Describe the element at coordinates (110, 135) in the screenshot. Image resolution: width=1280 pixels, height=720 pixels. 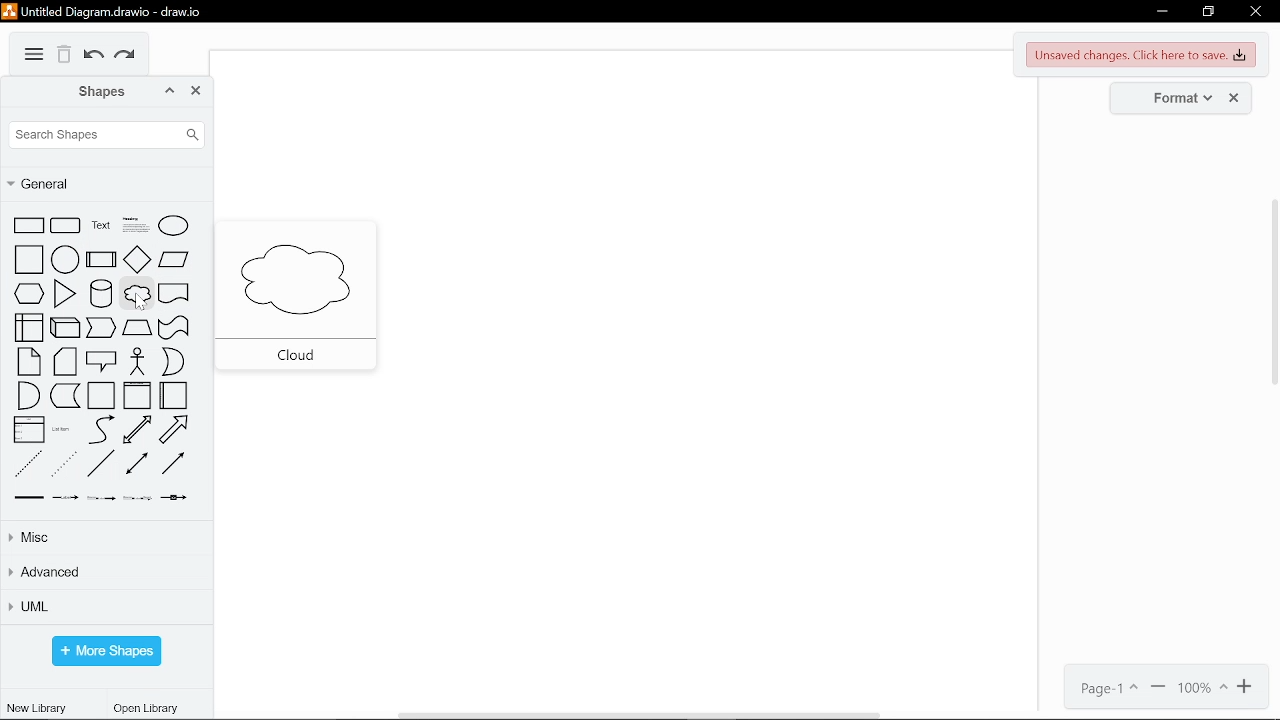
I see `search shapes` at that location.